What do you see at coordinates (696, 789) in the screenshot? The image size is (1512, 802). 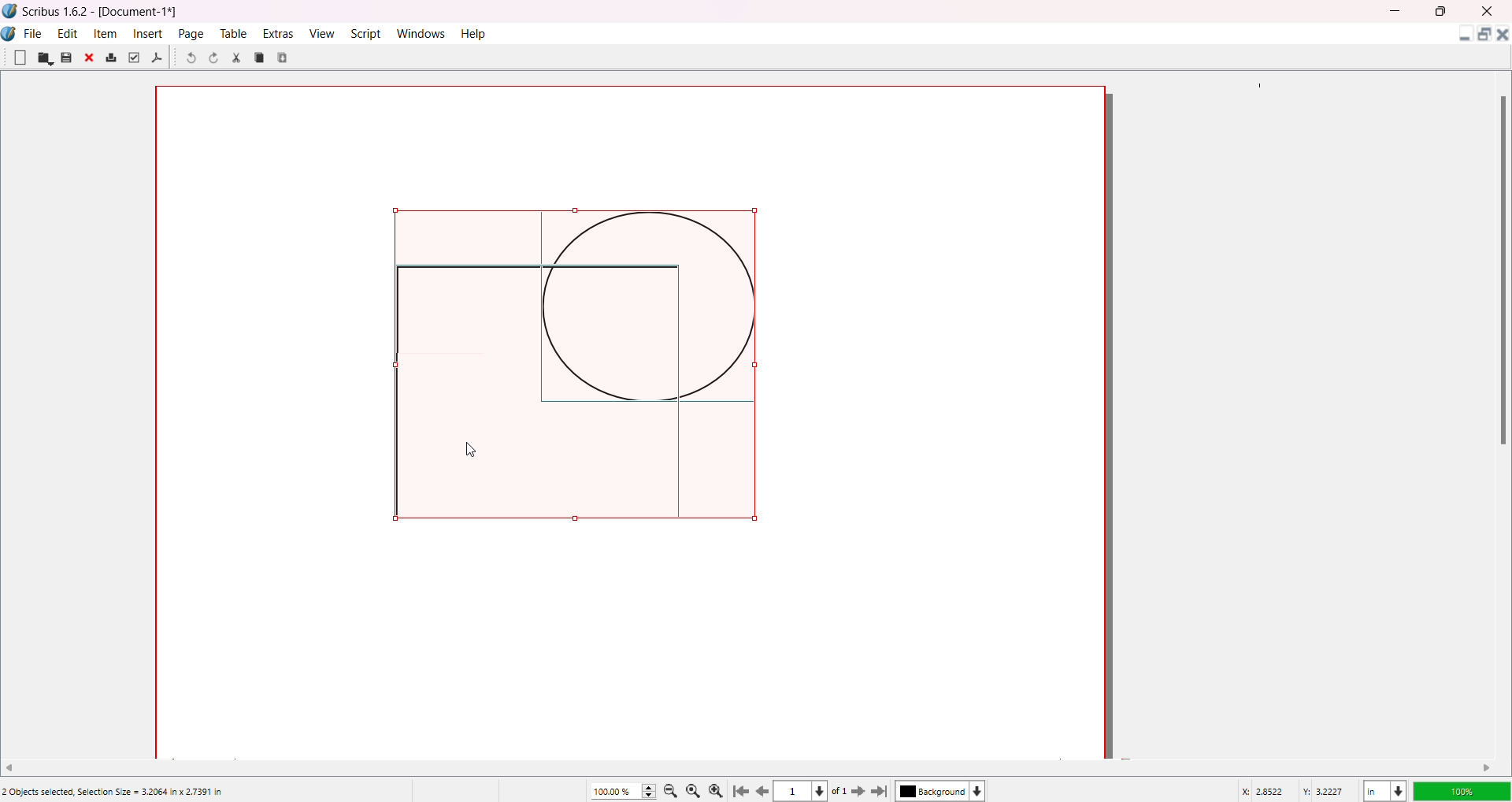 I see `Zoom to 100` at bounding box center [696, 789].